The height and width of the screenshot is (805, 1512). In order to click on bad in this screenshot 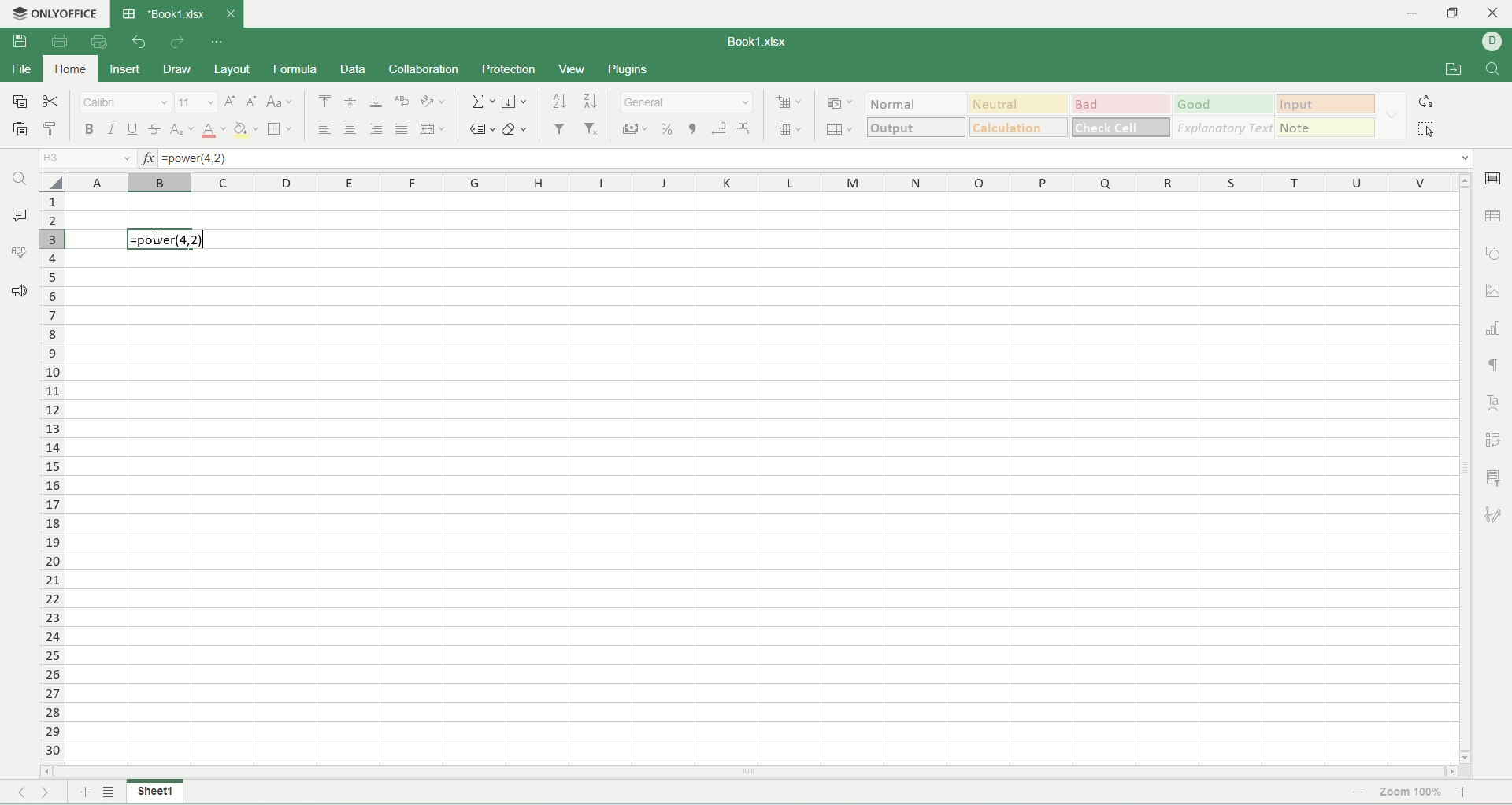, I will do `click(1124, 103)`.